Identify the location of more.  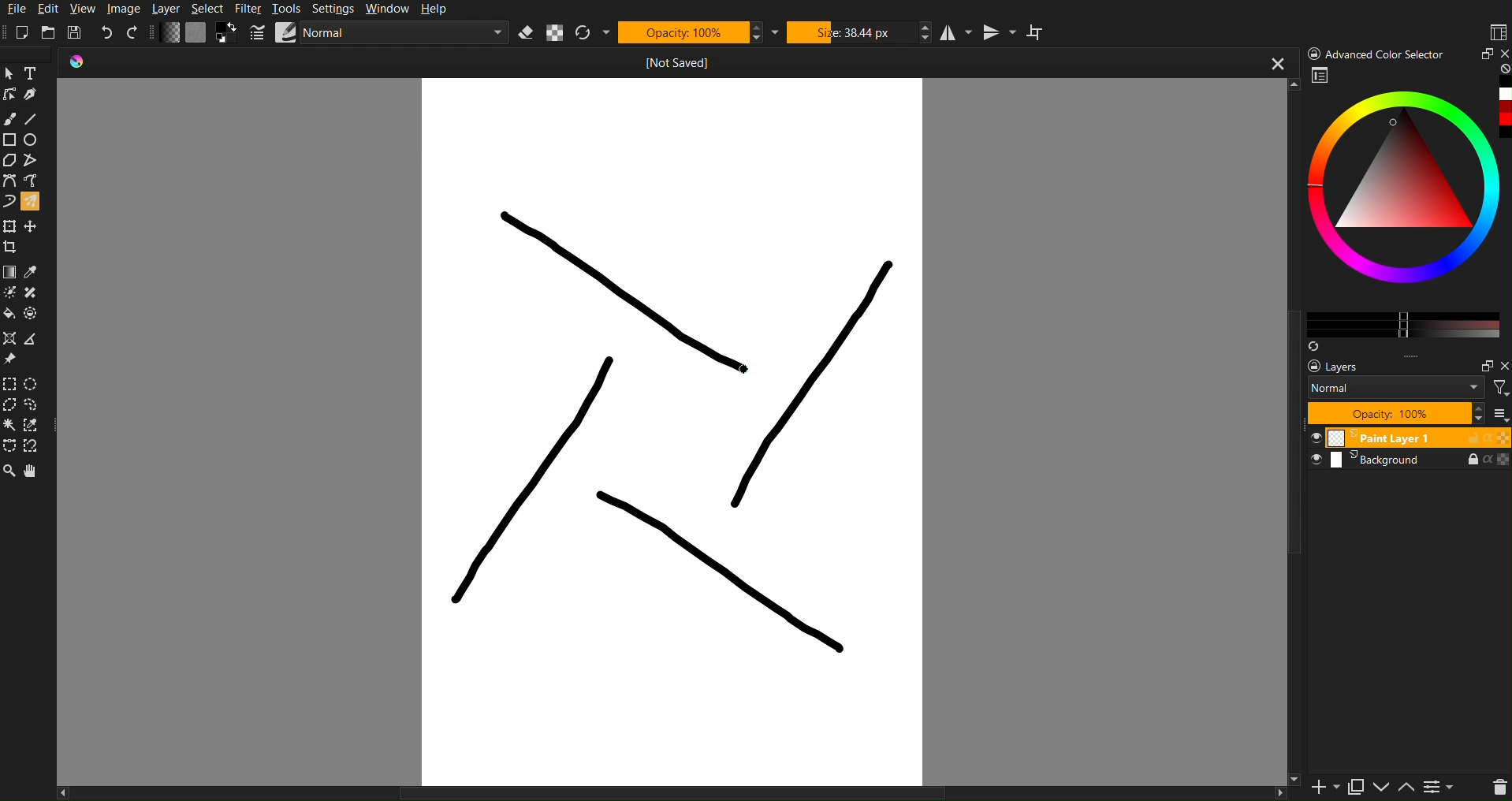
(1502, 415).